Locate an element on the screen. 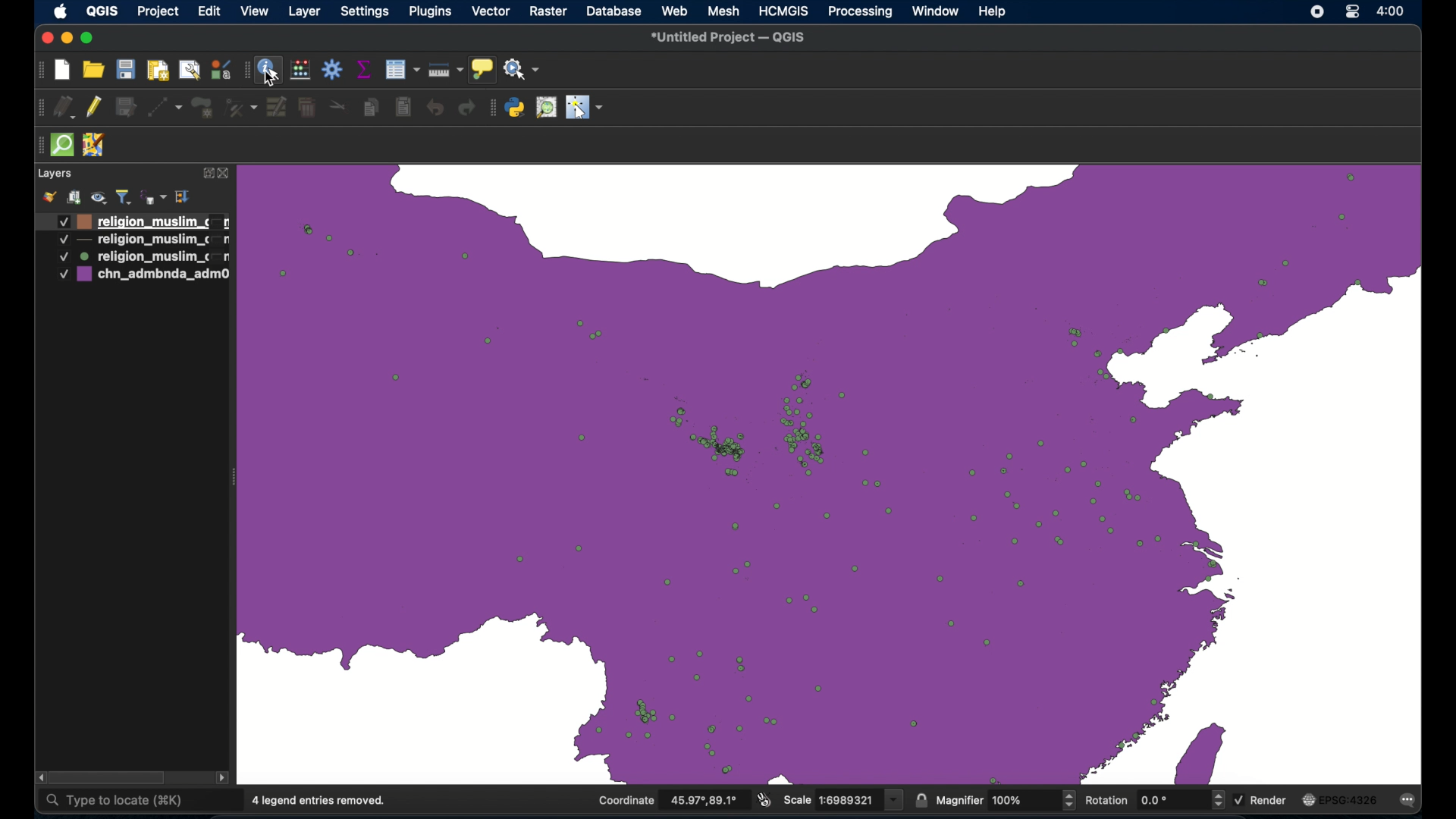 The height and width of the screenshot is (819, 1456). paste fatures is located at coordinates (404, 105).